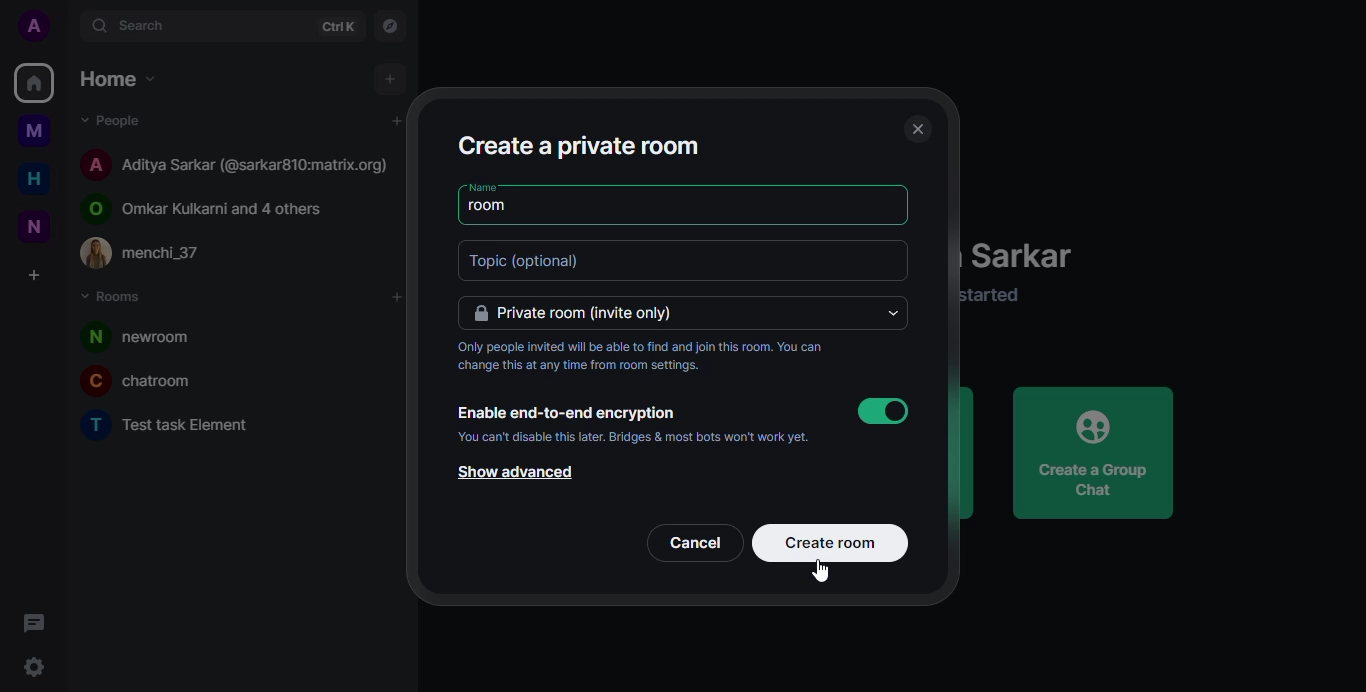 This screenshot has width=1366, height=692. I want to click on explore rooms, so click(389, 26).